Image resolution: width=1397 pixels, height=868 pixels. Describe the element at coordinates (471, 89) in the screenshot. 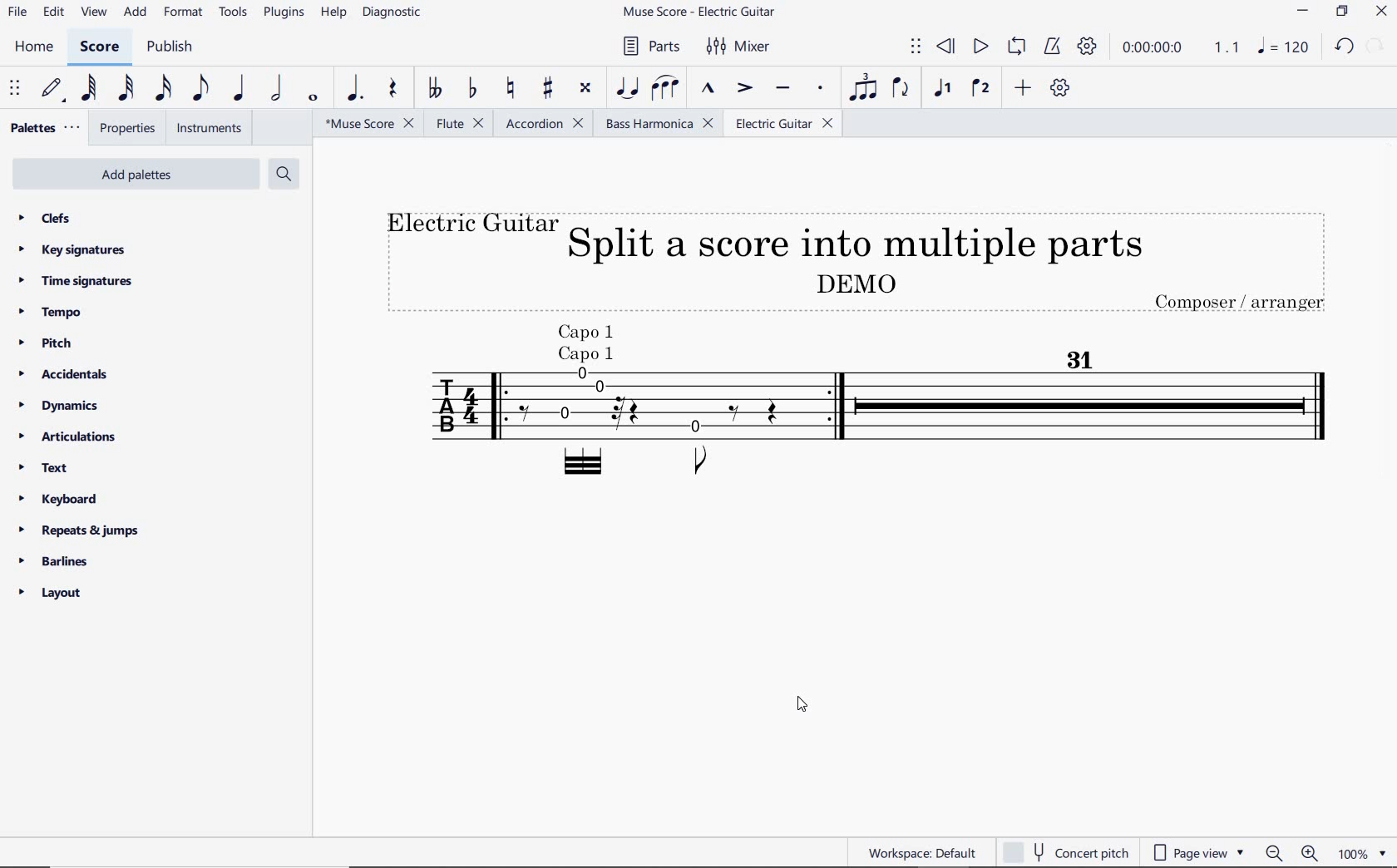

I see `toggle flat` at that location.